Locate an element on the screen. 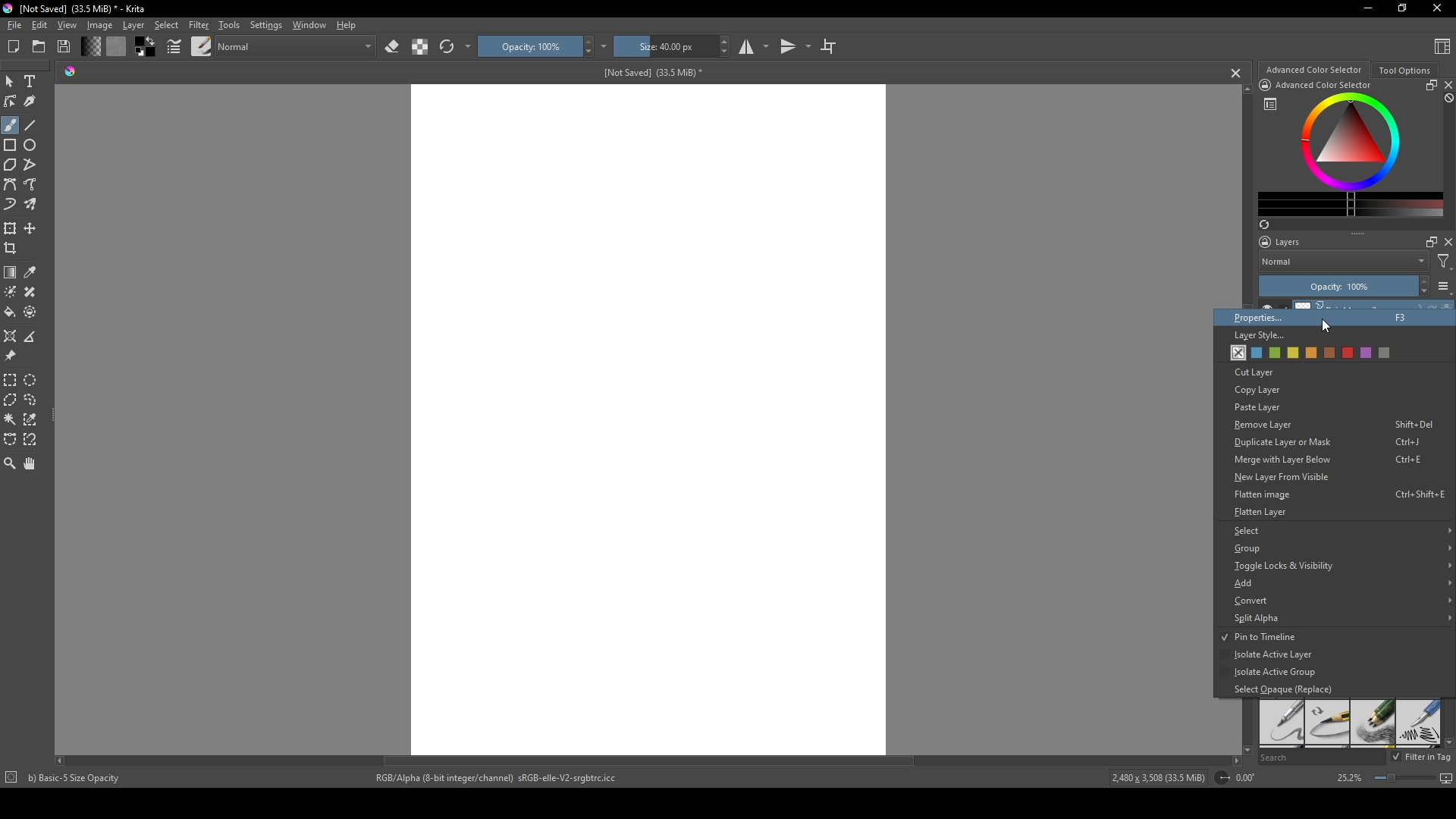 Image resolution: width=1456 pixels, height=819 pixels. assistant is located at coordinates (11, 335).